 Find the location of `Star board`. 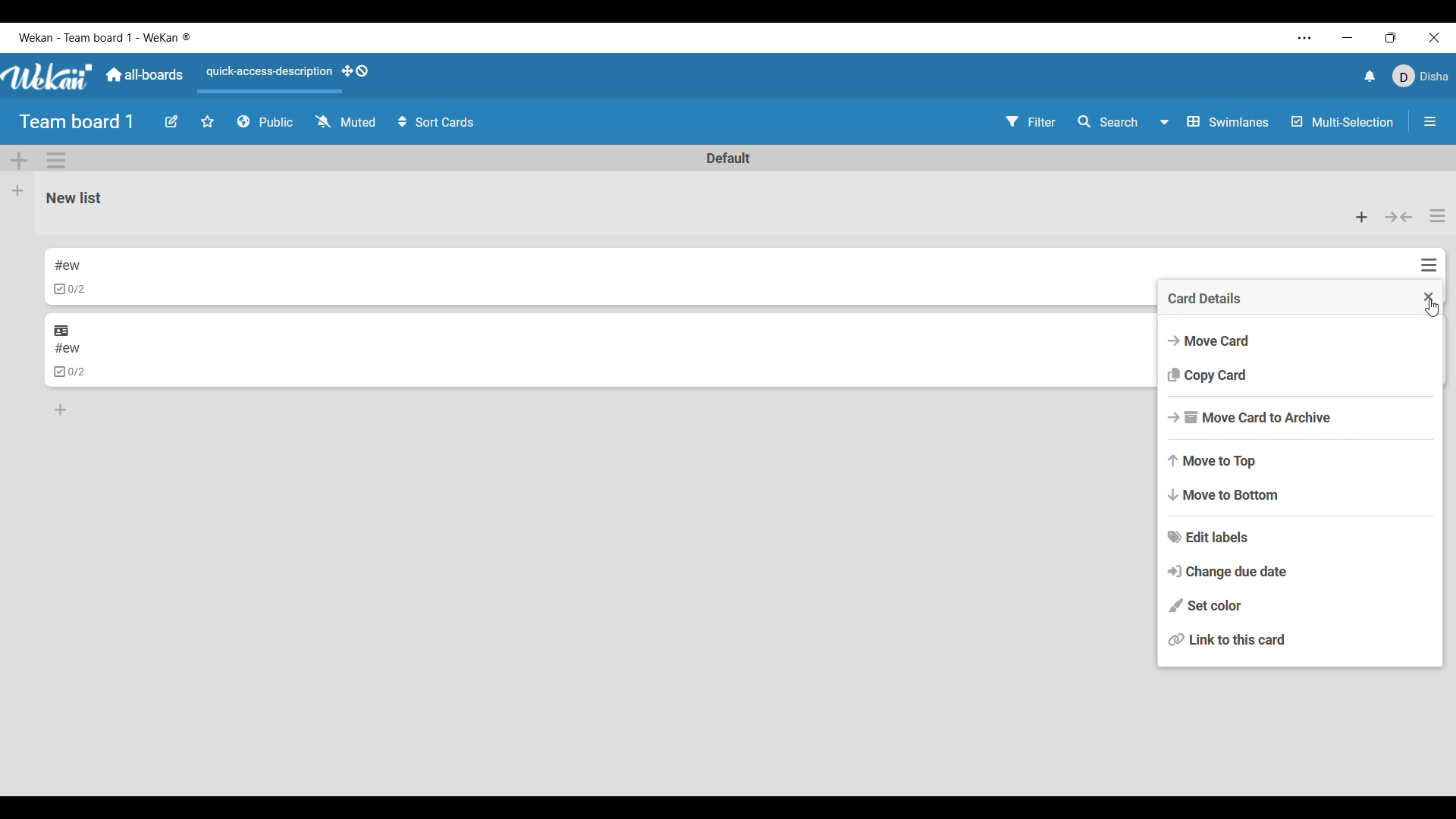

Star board is located at coordinates (208, 121).